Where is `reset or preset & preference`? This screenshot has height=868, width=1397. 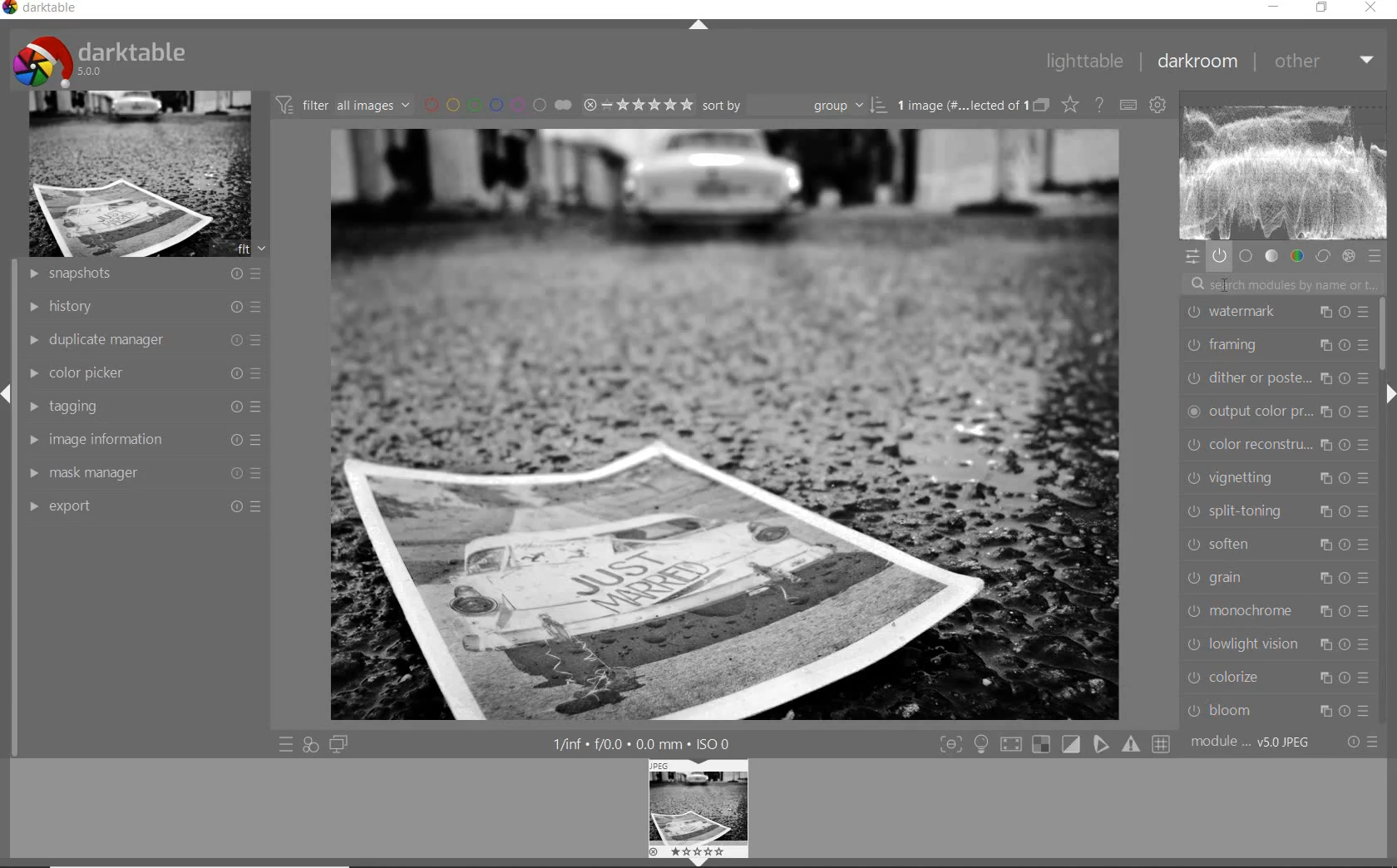
reset or preset & preference is located at coordinates (1358, 744).